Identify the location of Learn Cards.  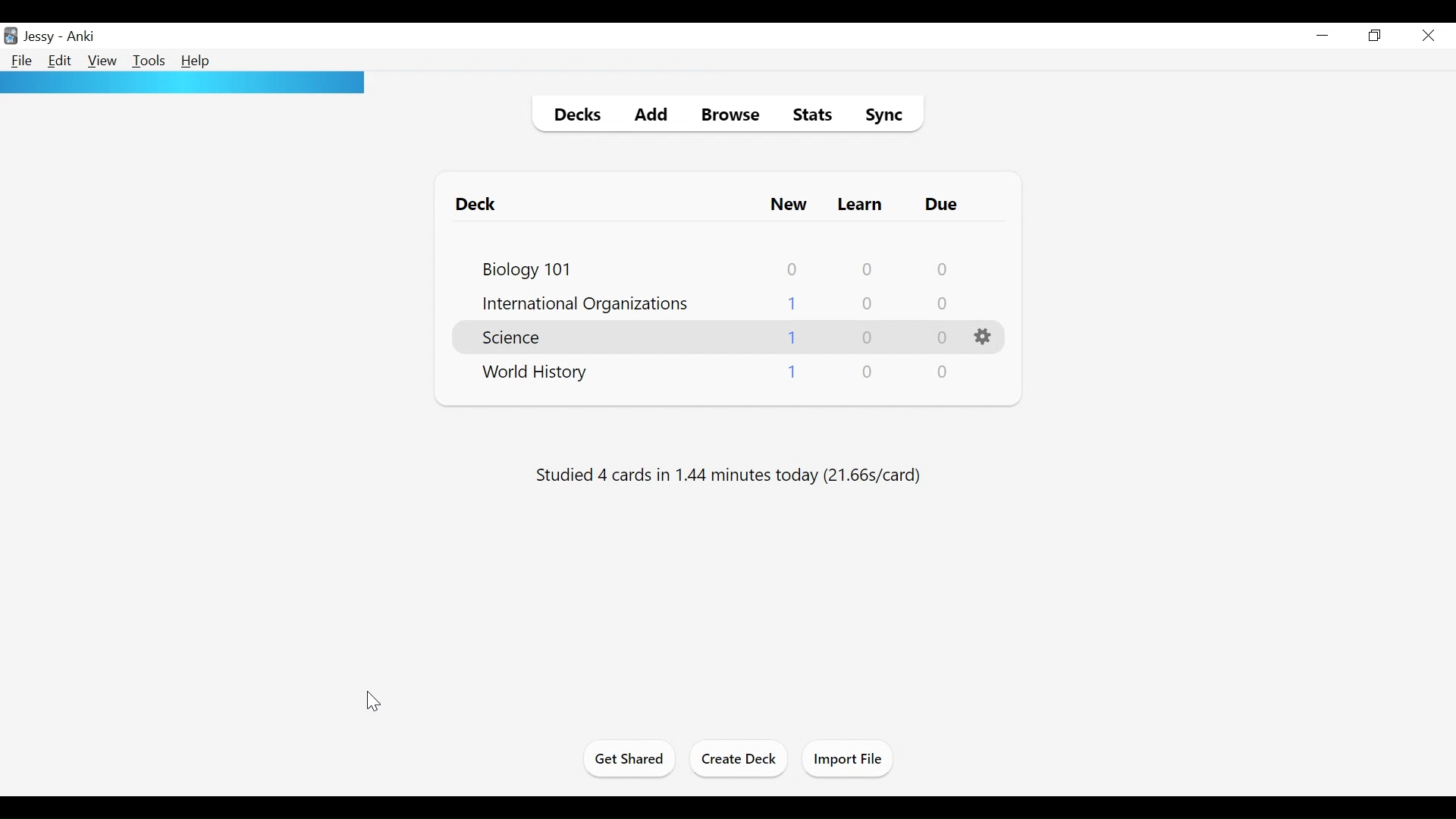
(861, 206).